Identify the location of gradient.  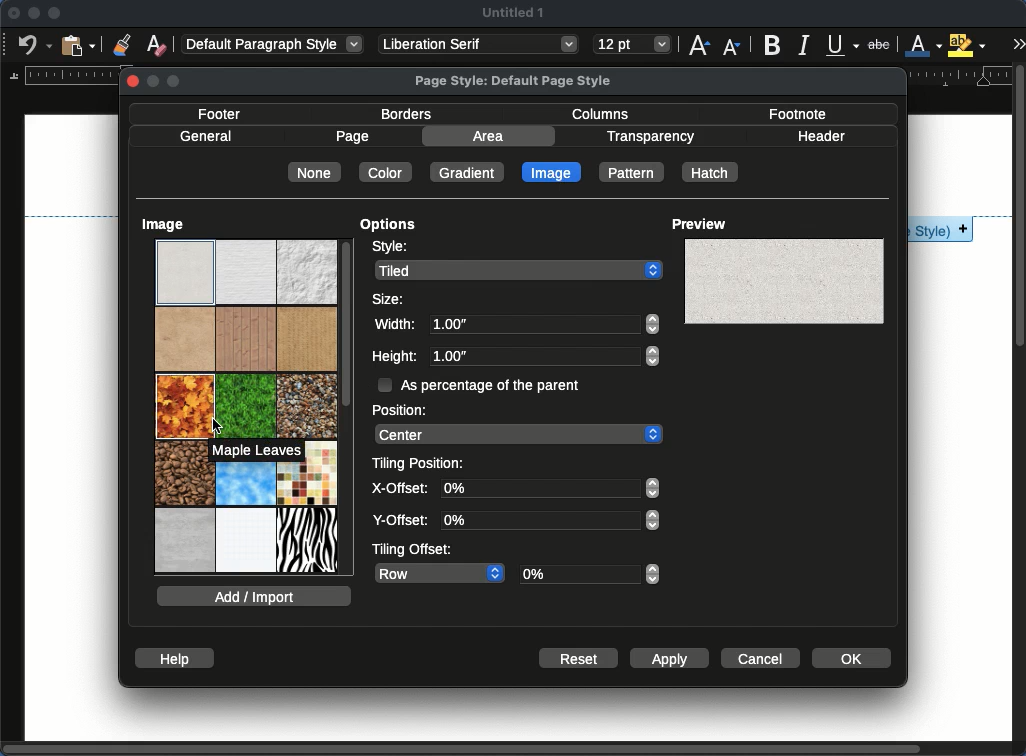
(465, 171).